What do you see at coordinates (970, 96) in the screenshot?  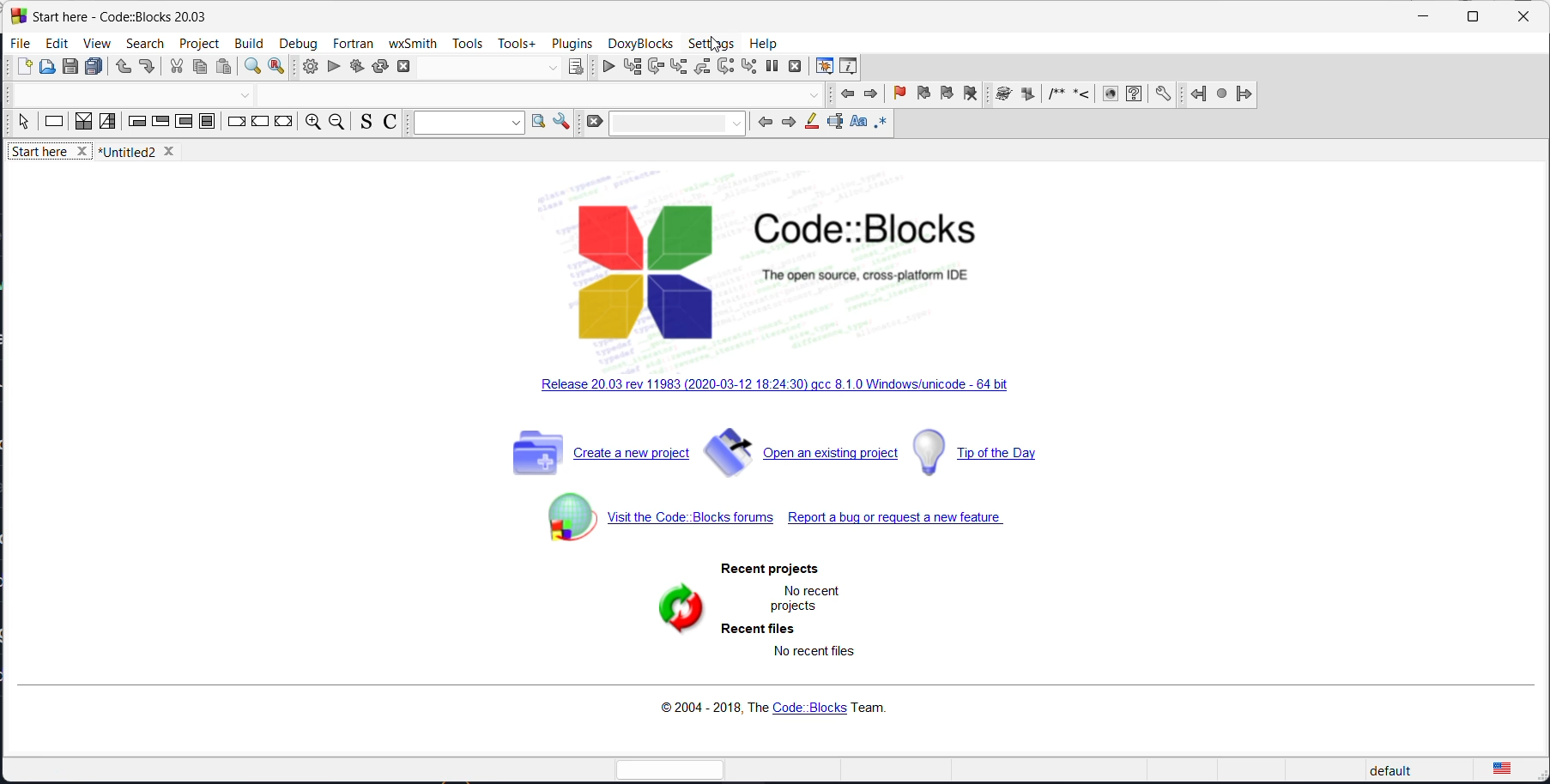 I see `remove bookmark` at bounding box center [970, 96].